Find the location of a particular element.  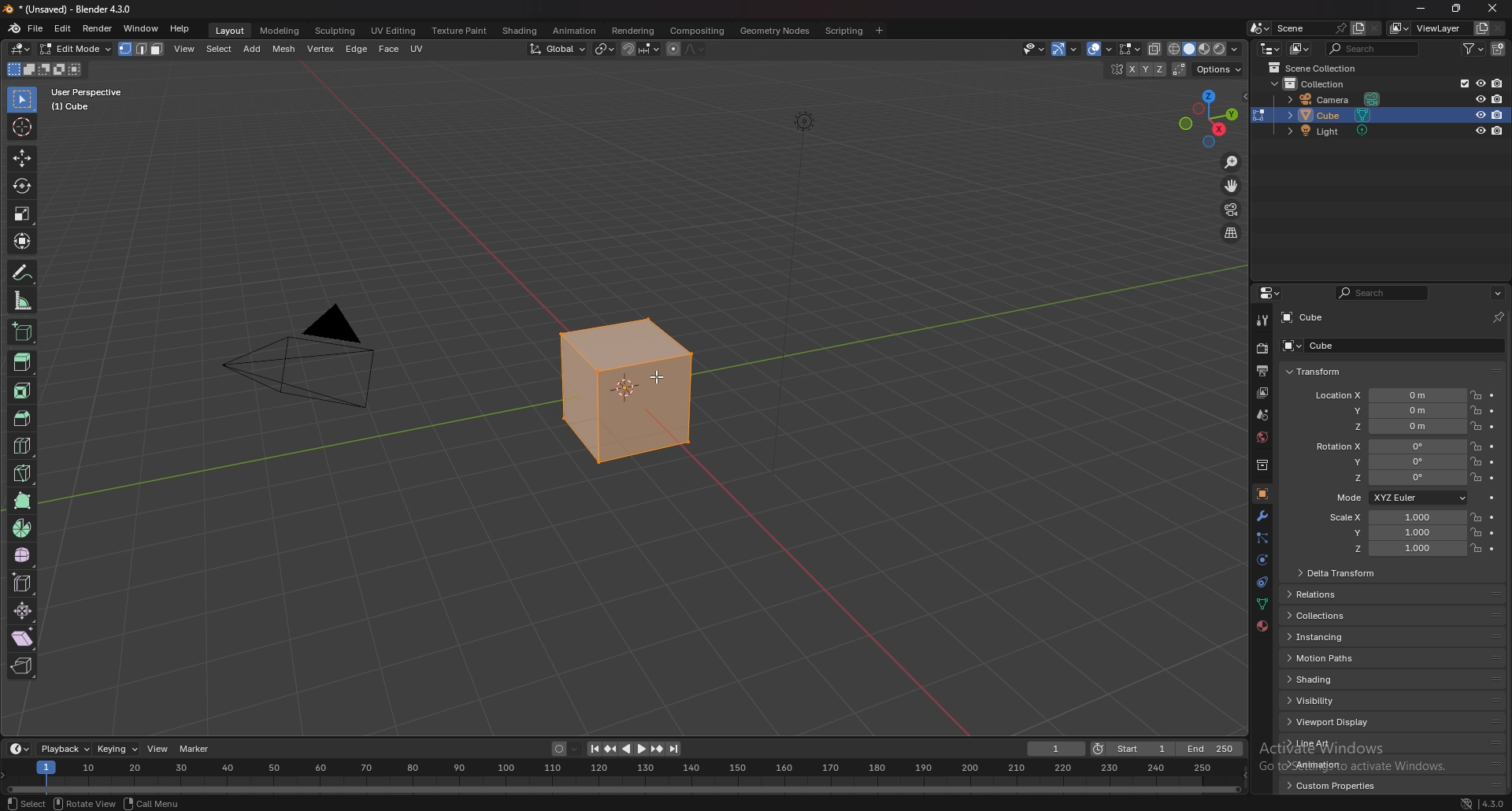

lock location is located at coordinates (1477, 426).